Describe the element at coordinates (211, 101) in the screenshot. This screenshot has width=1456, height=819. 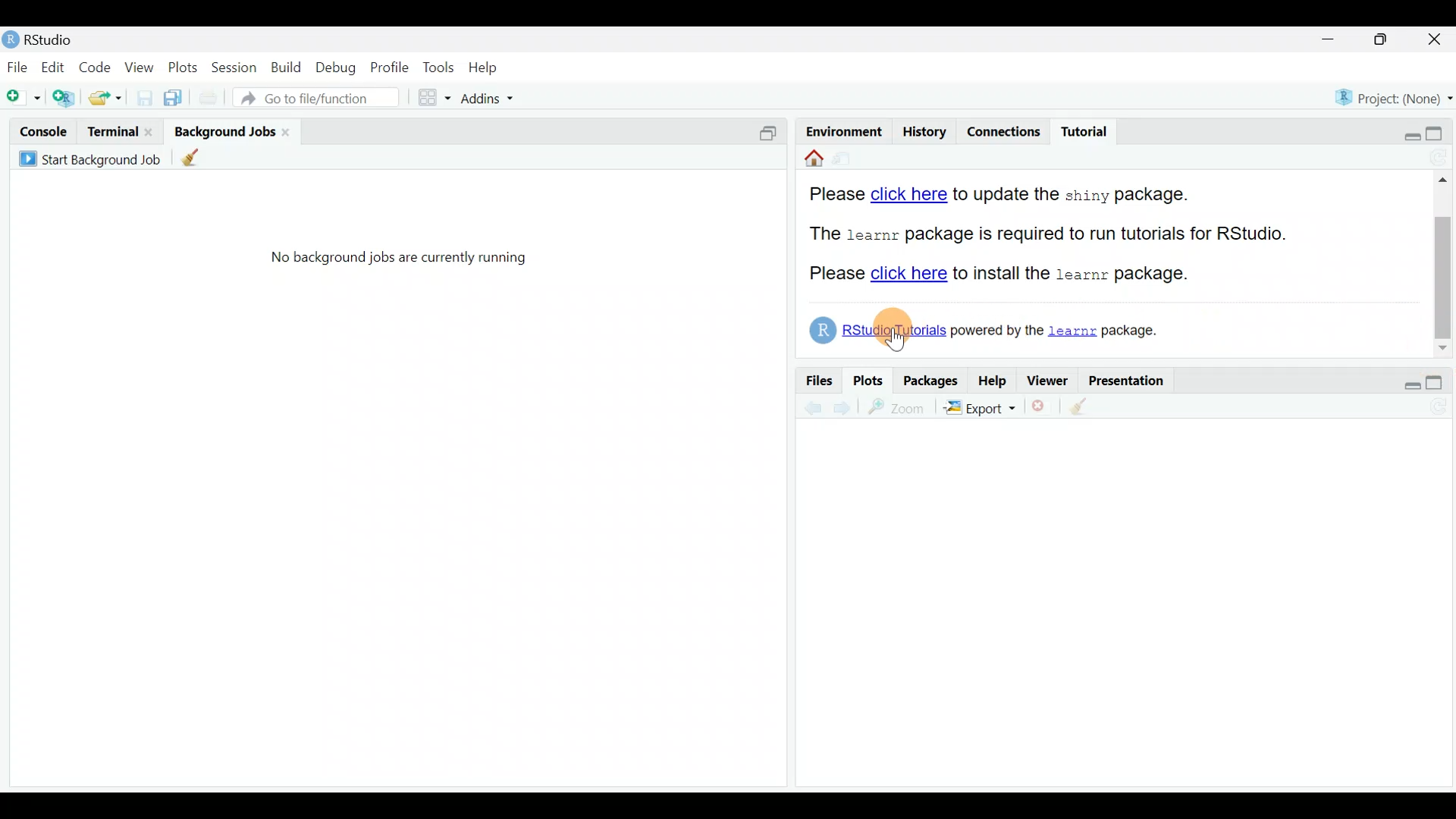
I see `Print the current file` at that location.